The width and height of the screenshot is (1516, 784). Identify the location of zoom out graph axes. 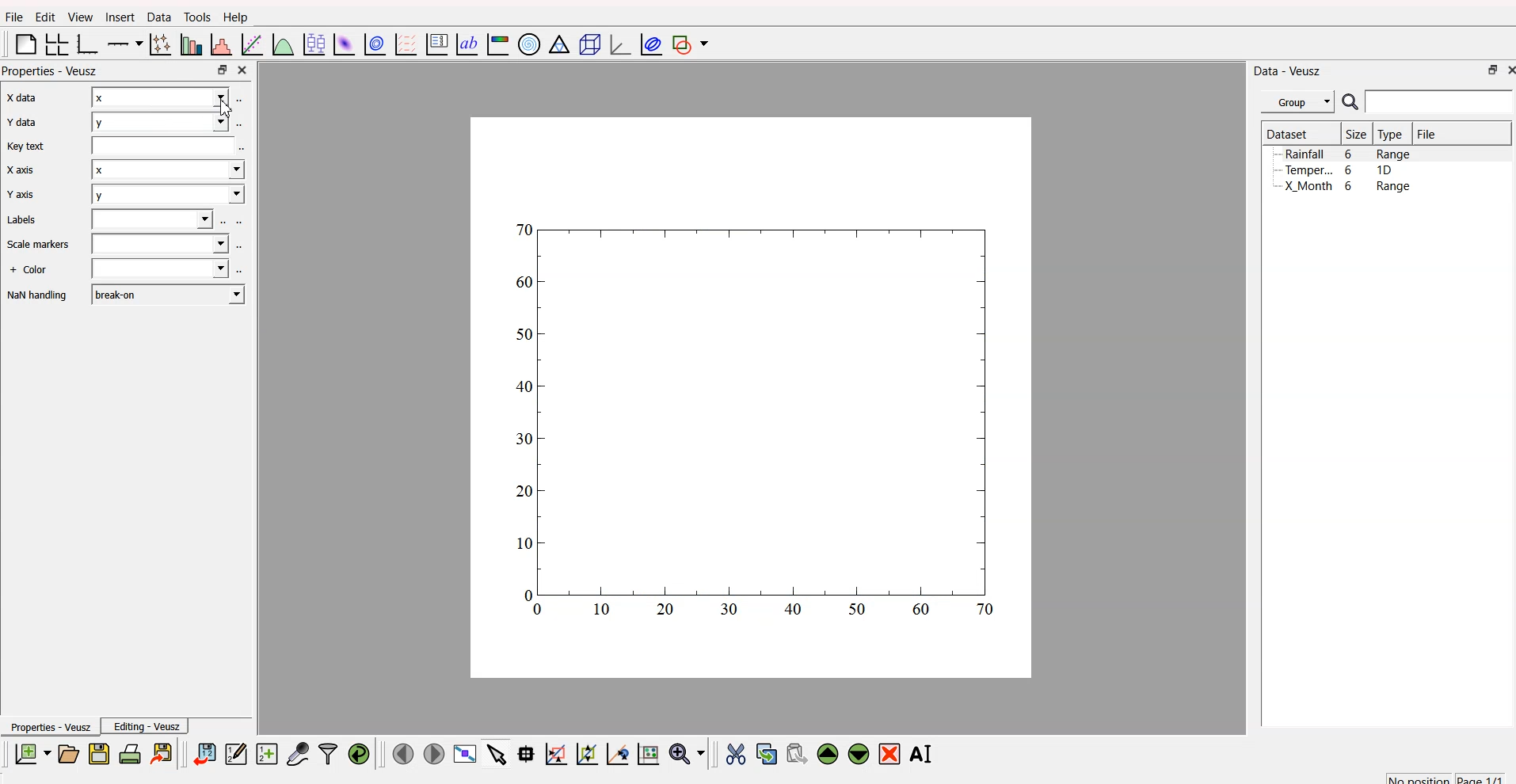
(616, 754).